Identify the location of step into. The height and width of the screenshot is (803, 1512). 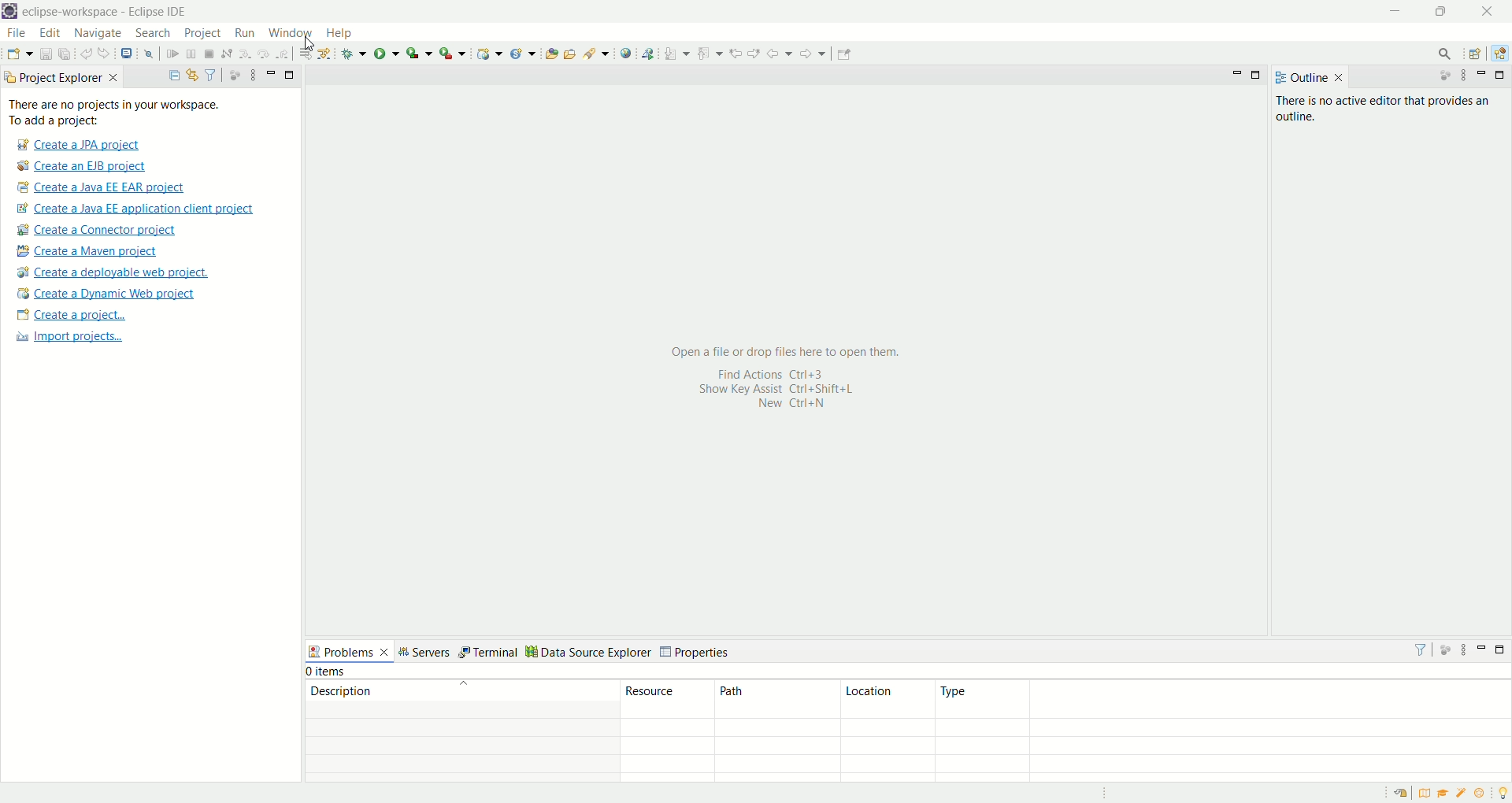
(243, 54).